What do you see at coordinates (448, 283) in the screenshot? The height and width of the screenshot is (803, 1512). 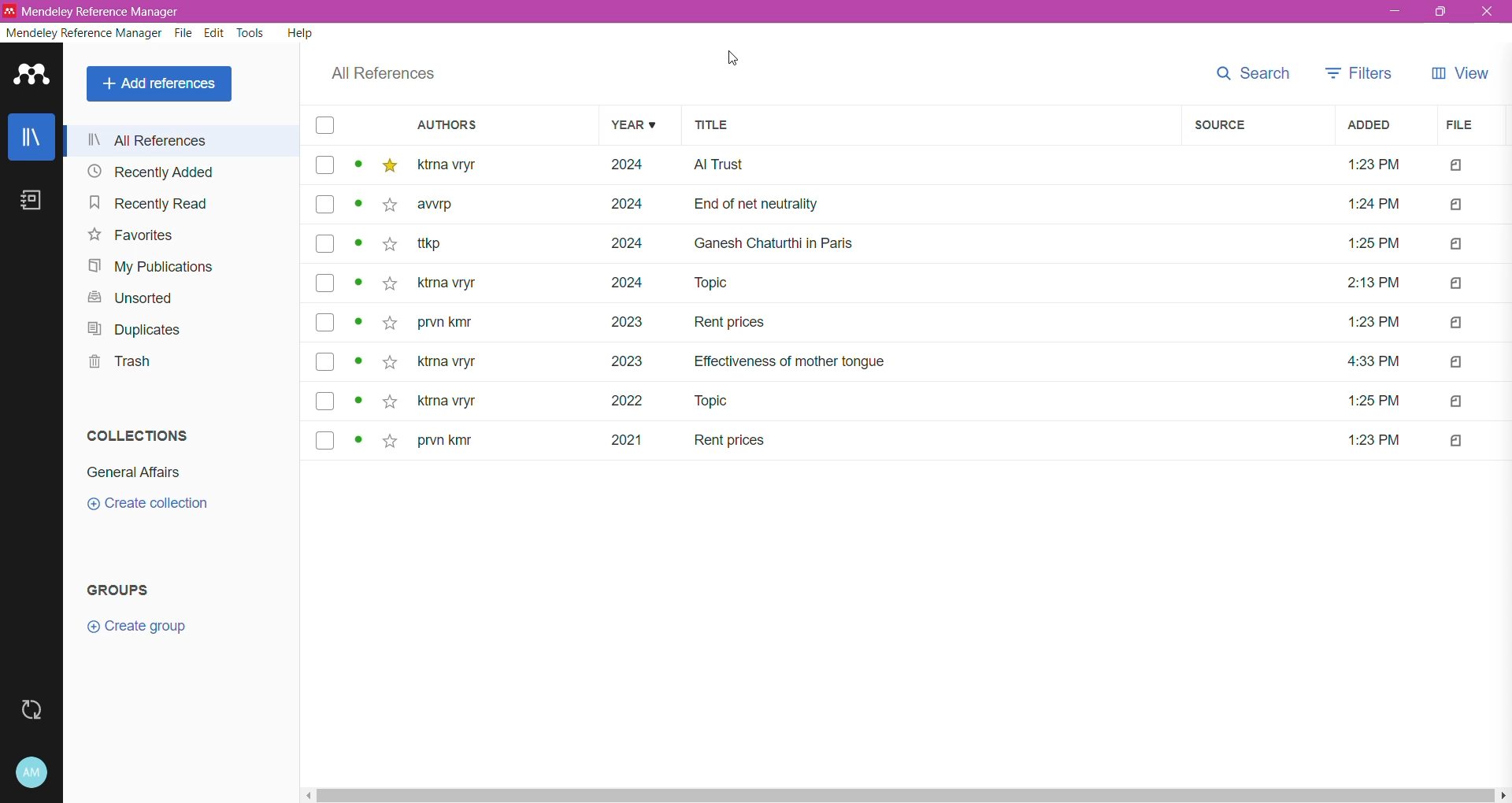 I see `ktrna vryr` at bounding box center [448, 283].